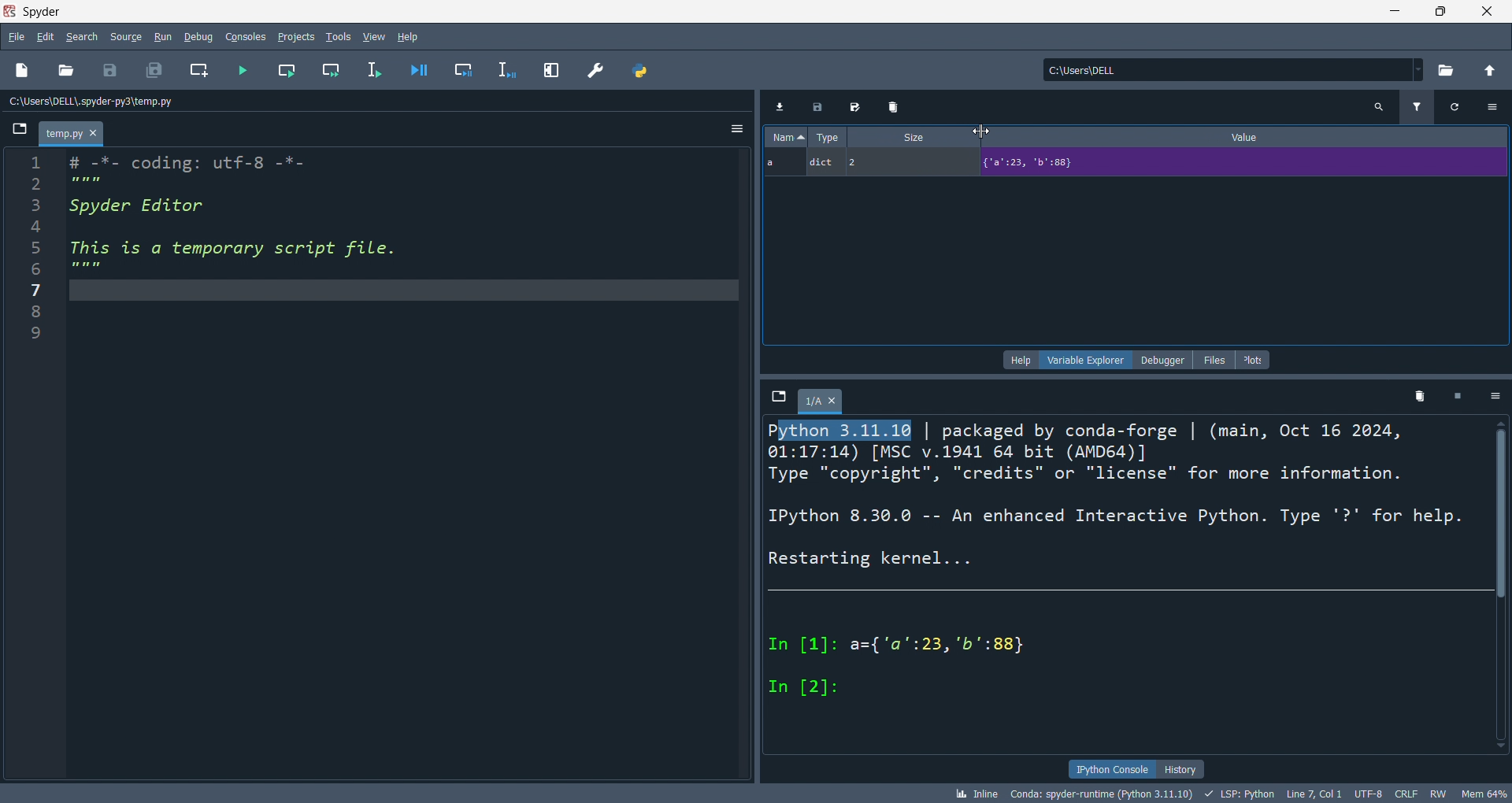 This screenshot has width=1512, height=803. Describe the element at coordinates (378, 71) in the screenshot. I see `run line` at that location.